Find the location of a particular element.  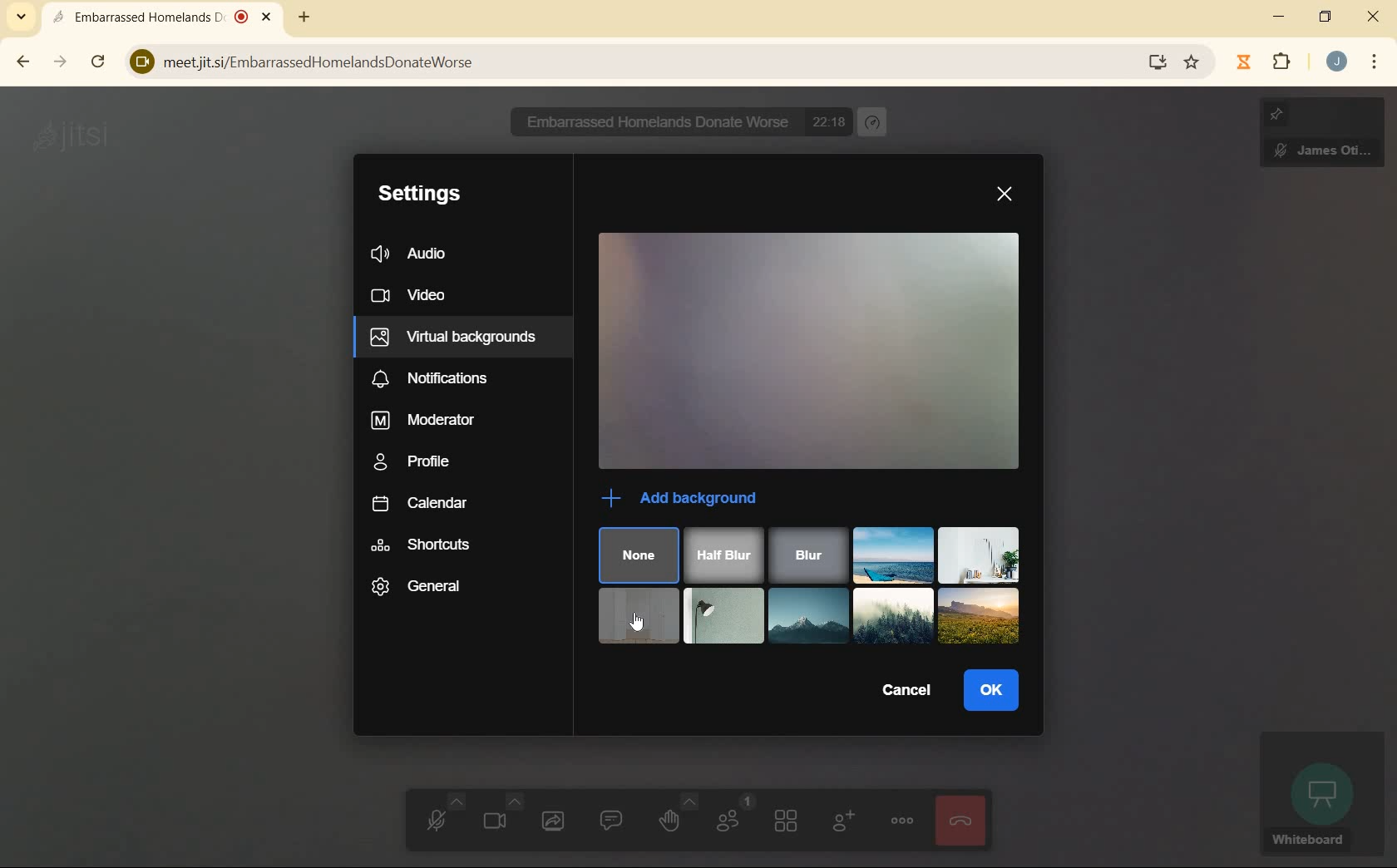

ok is located at coordinates (992, 693).